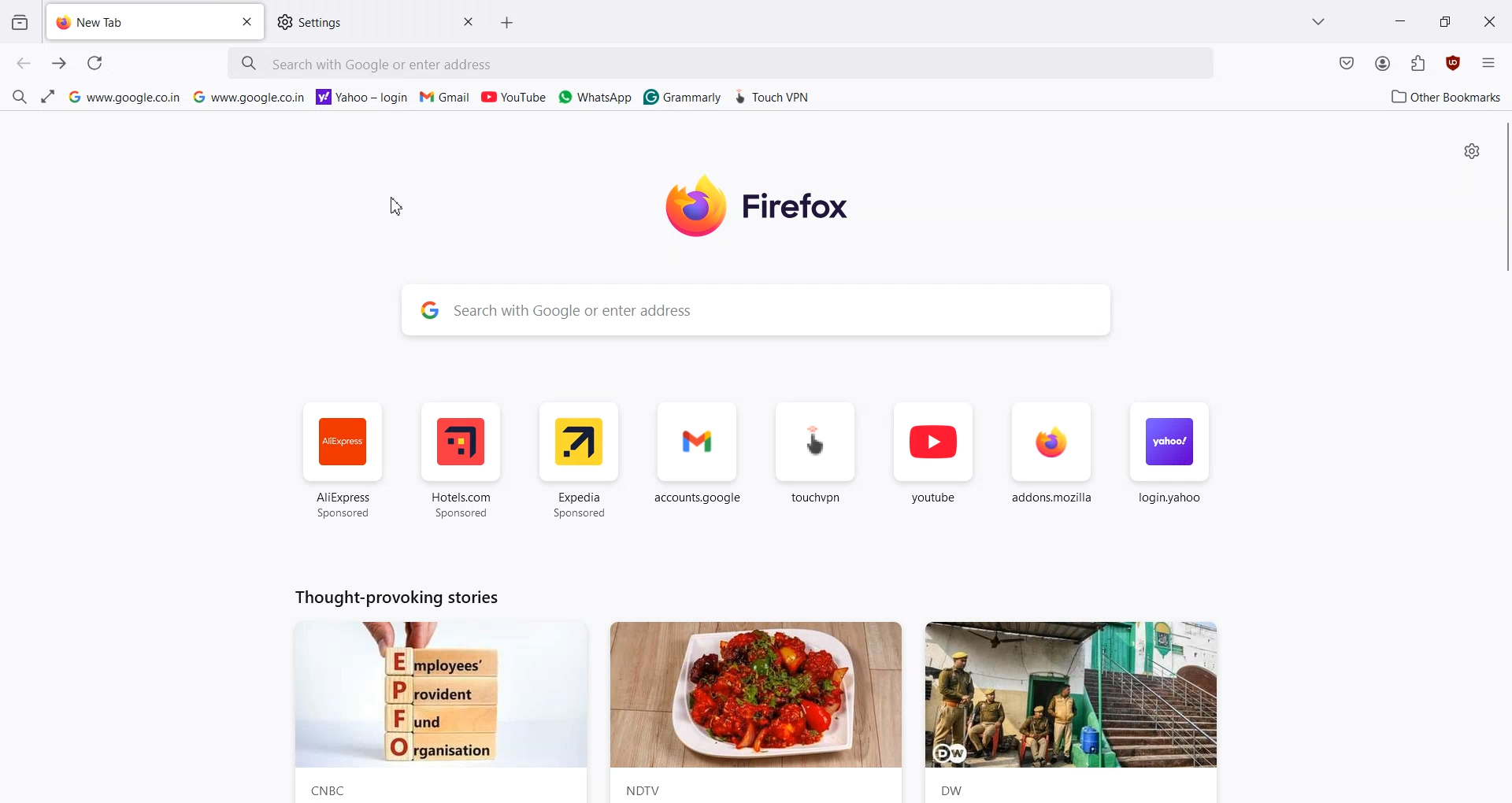 Image resolution: width=1512 pixels, height=803 pixels. Describe the element at coordinates (438, 712) in the screenshot. I see `News` at that location.